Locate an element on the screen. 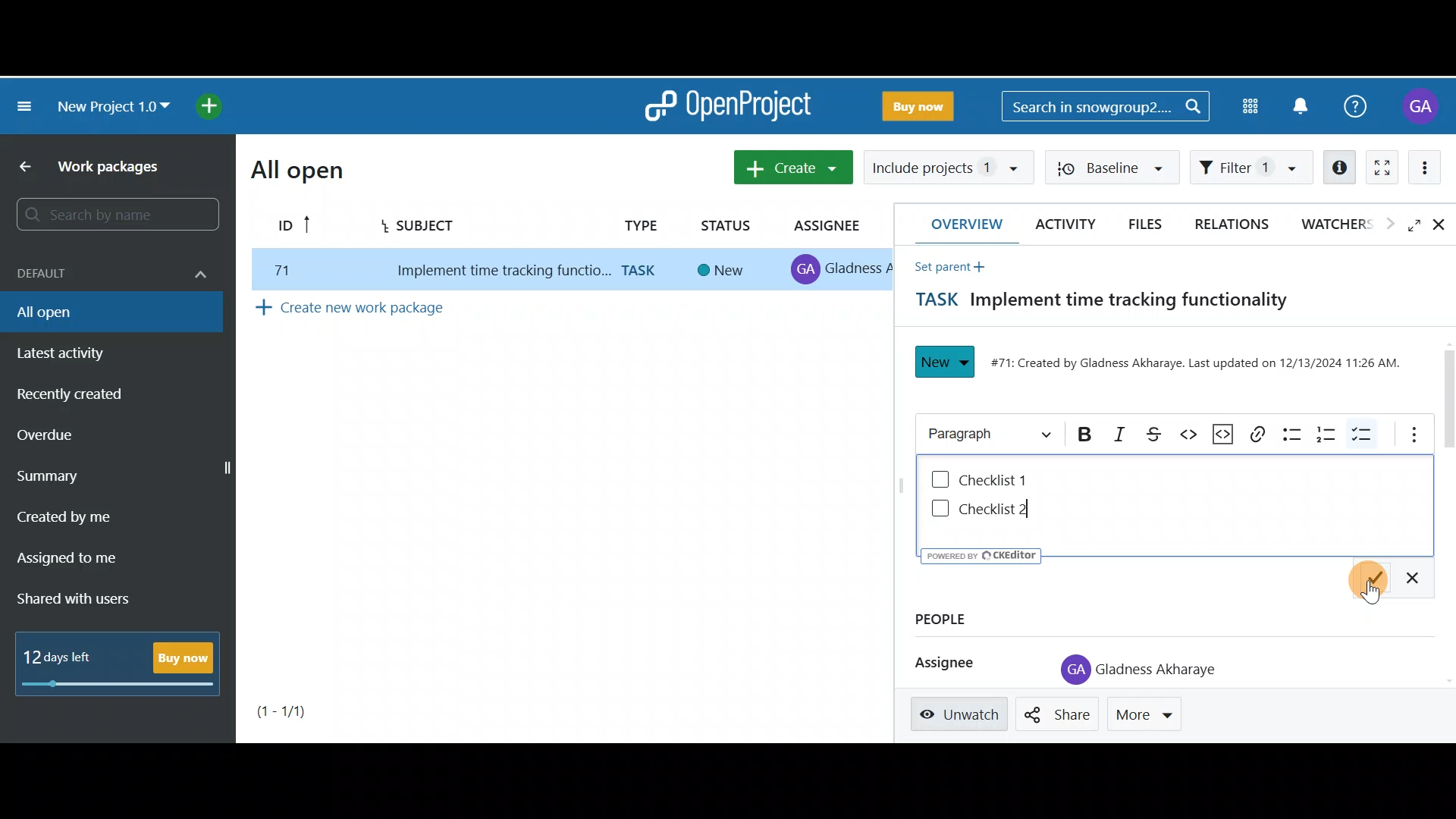  #71: Created by Gladness Akharaye. Last updated on 12/13/2024 11:26 AM. is located at coordinates (1198, 367).